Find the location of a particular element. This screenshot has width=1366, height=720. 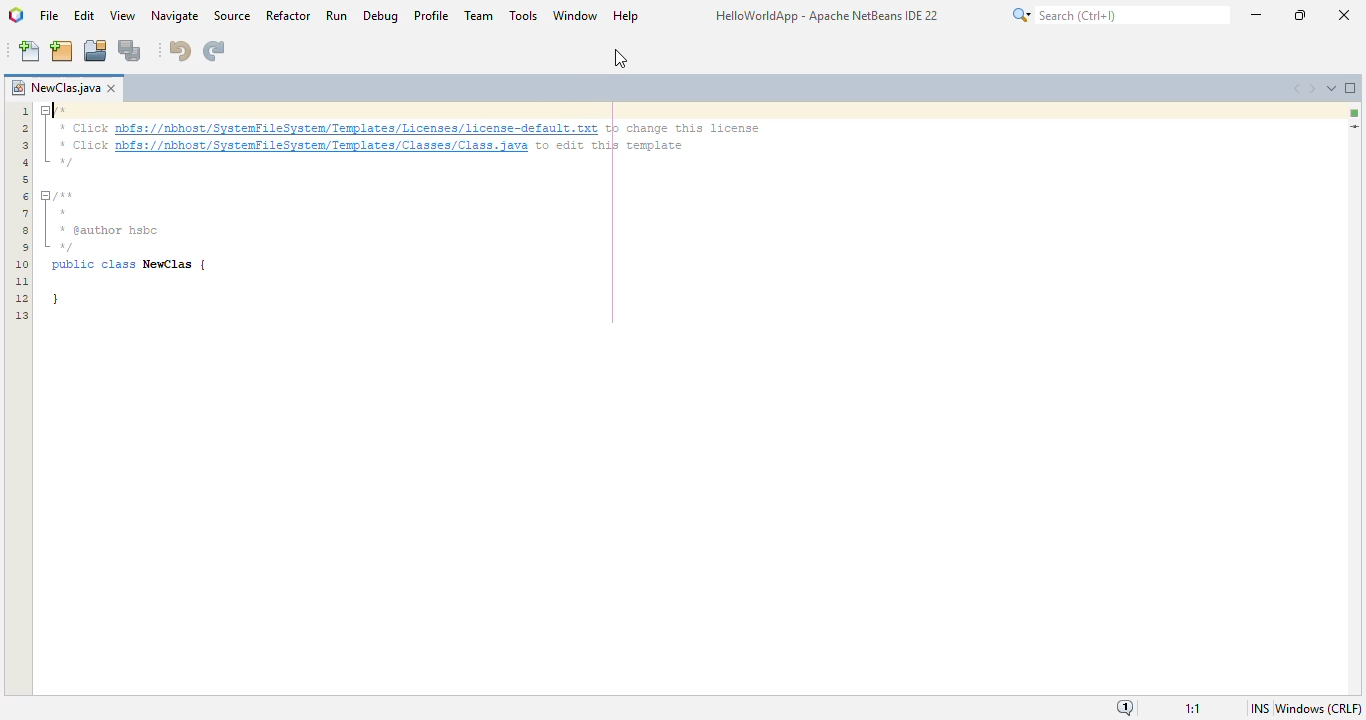

view is located at coordinates (123, 15).